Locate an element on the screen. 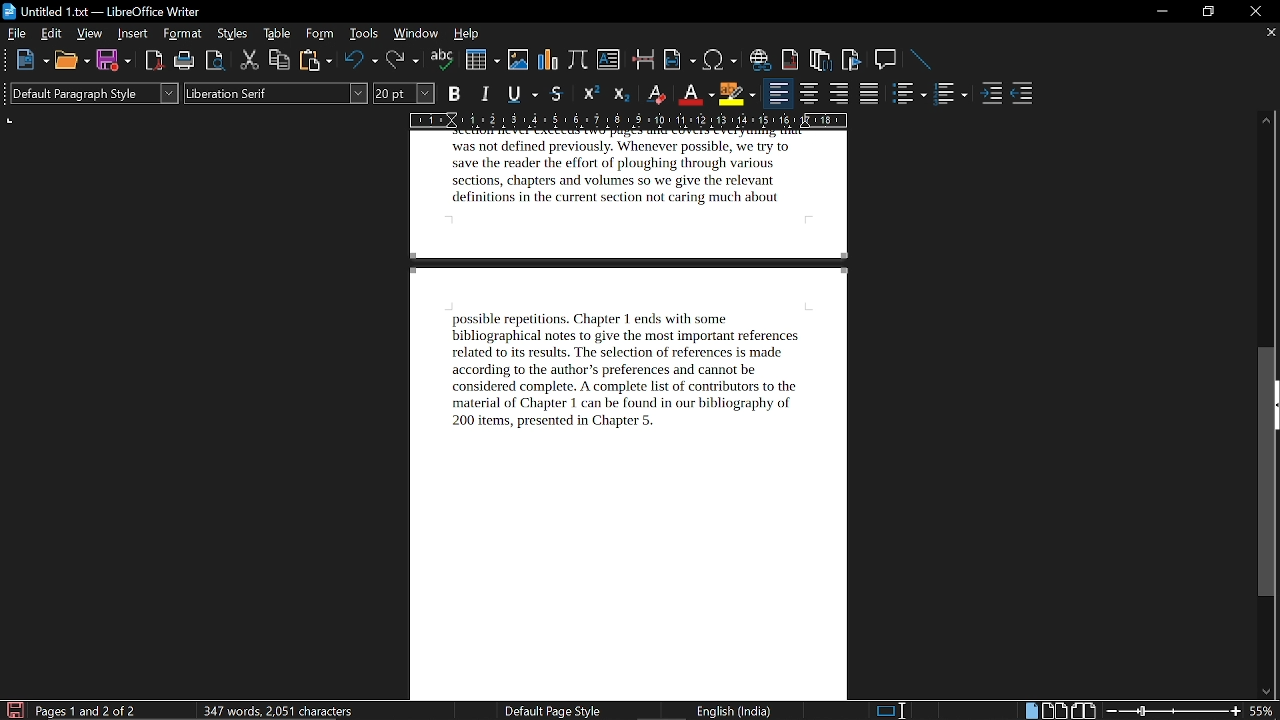 The image size is (1280, 720). tools is located at coordinates (366, 34).